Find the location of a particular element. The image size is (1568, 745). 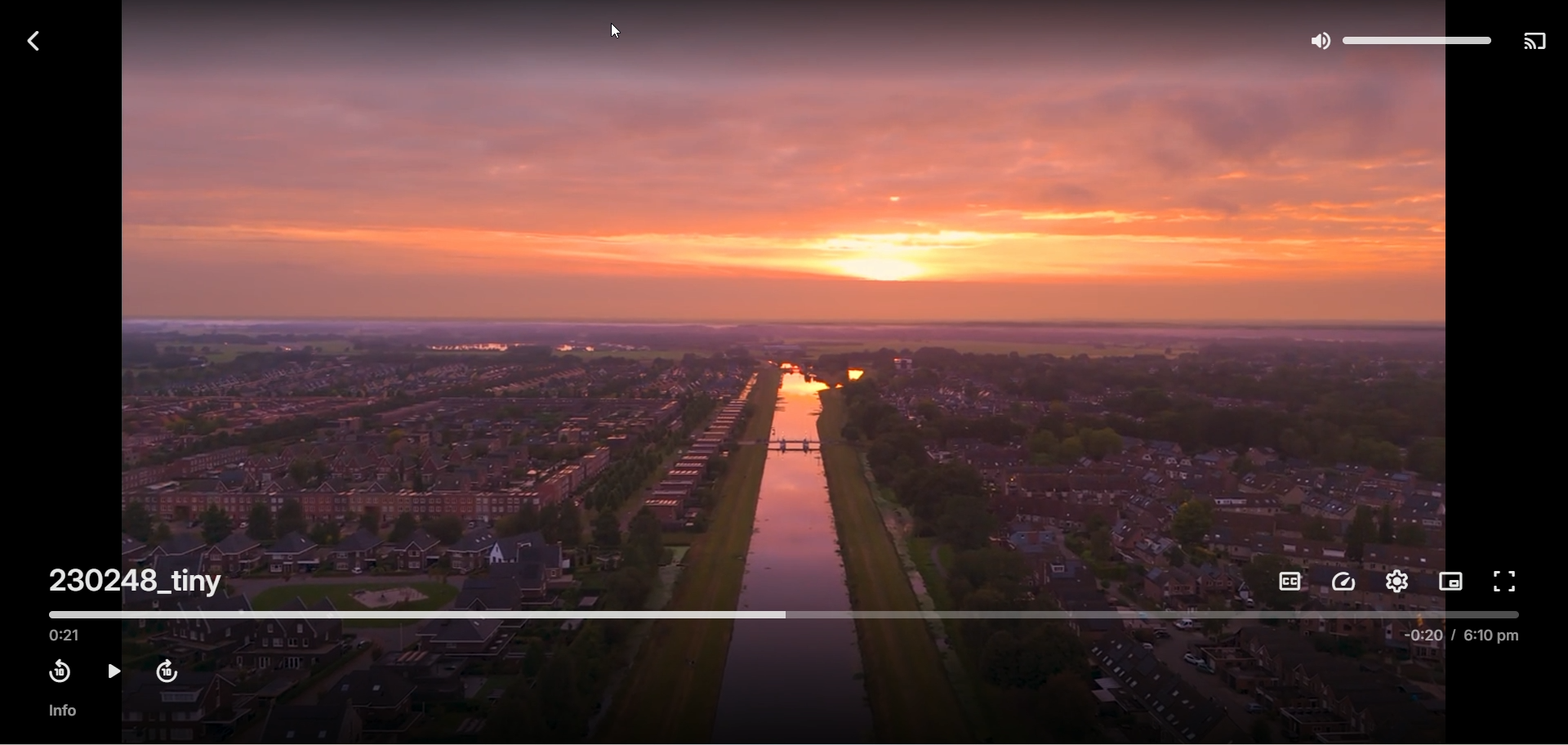

video is located at coordinates (791, 308).